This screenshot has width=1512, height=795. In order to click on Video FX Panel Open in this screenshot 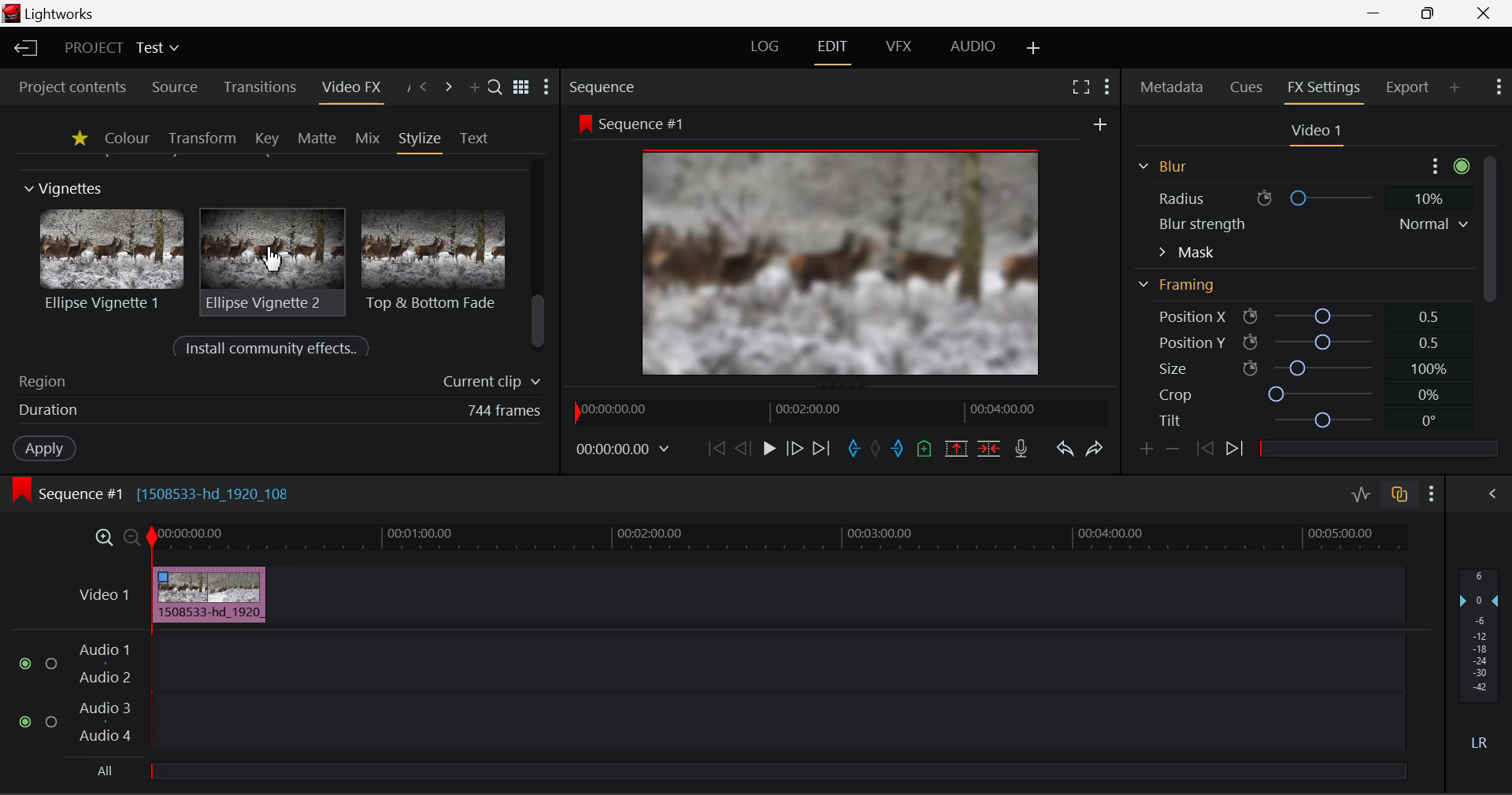, I will do `click(355, 89)`.